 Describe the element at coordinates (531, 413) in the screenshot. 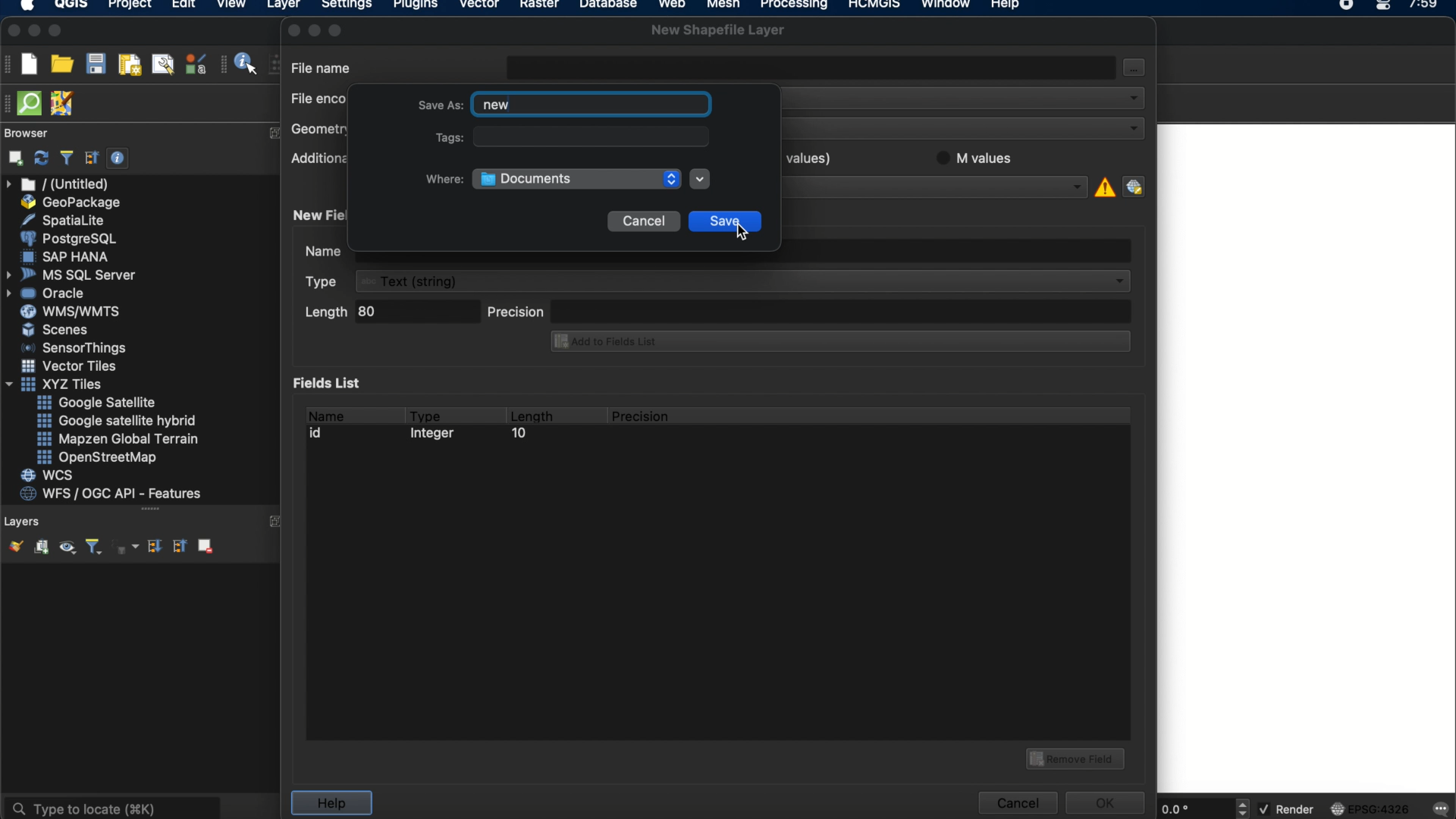

I see `length` at that location.